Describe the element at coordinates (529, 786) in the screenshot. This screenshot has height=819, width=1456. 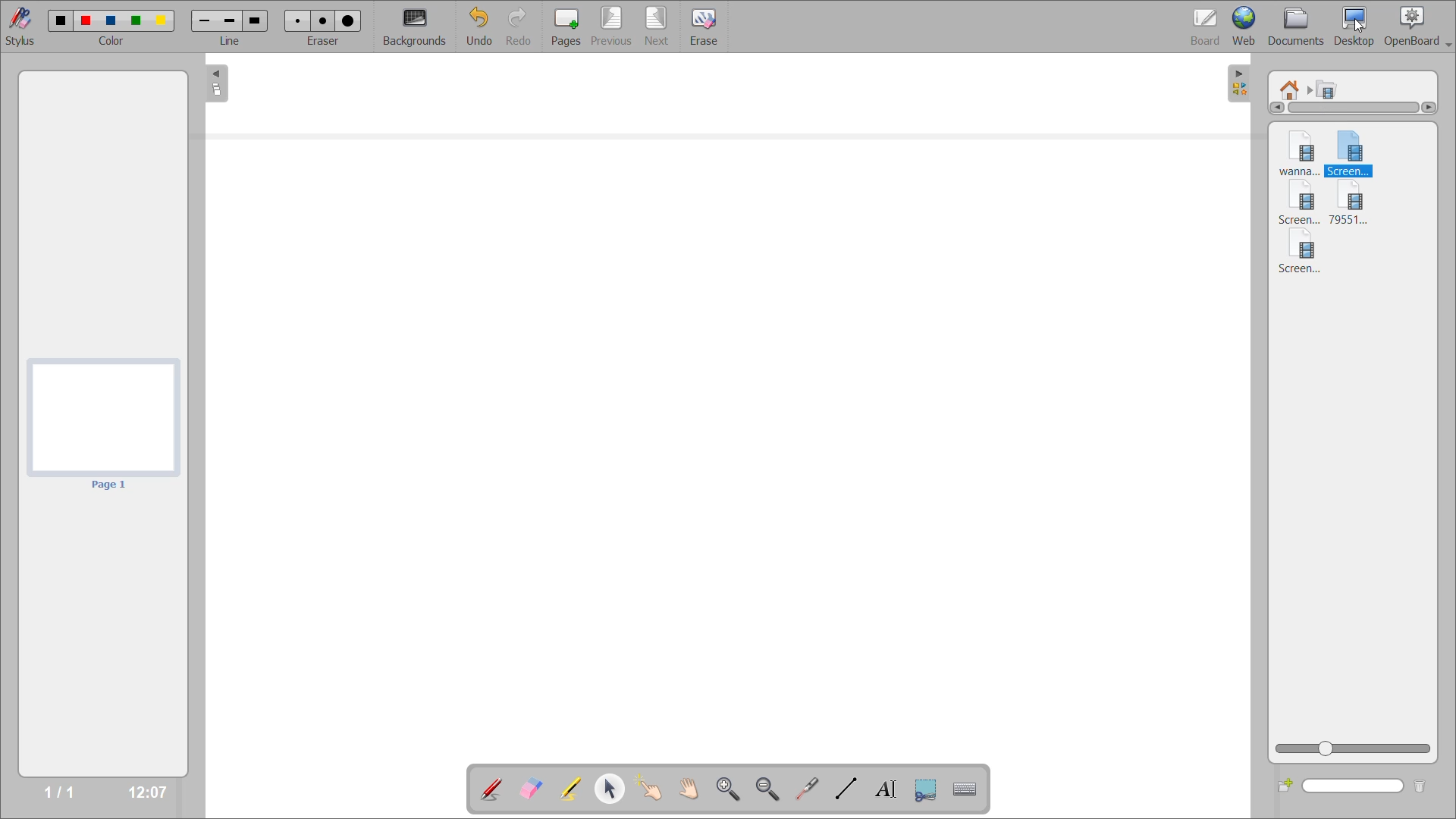
I see `erase annotation` at that location.